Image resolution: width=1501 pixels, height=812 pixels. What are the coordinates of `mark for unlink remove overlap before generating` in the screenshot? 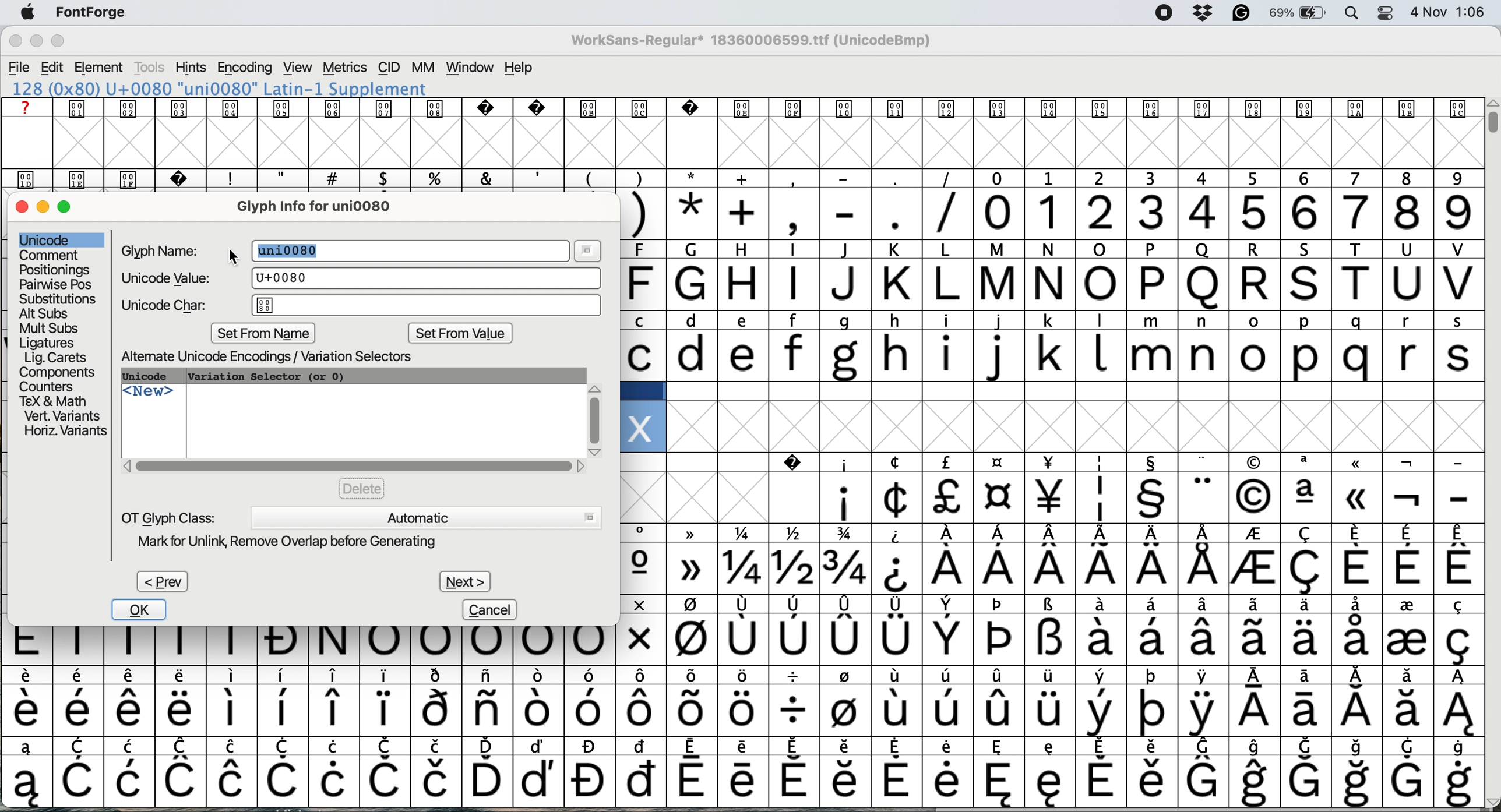 It's located at (300, 543).